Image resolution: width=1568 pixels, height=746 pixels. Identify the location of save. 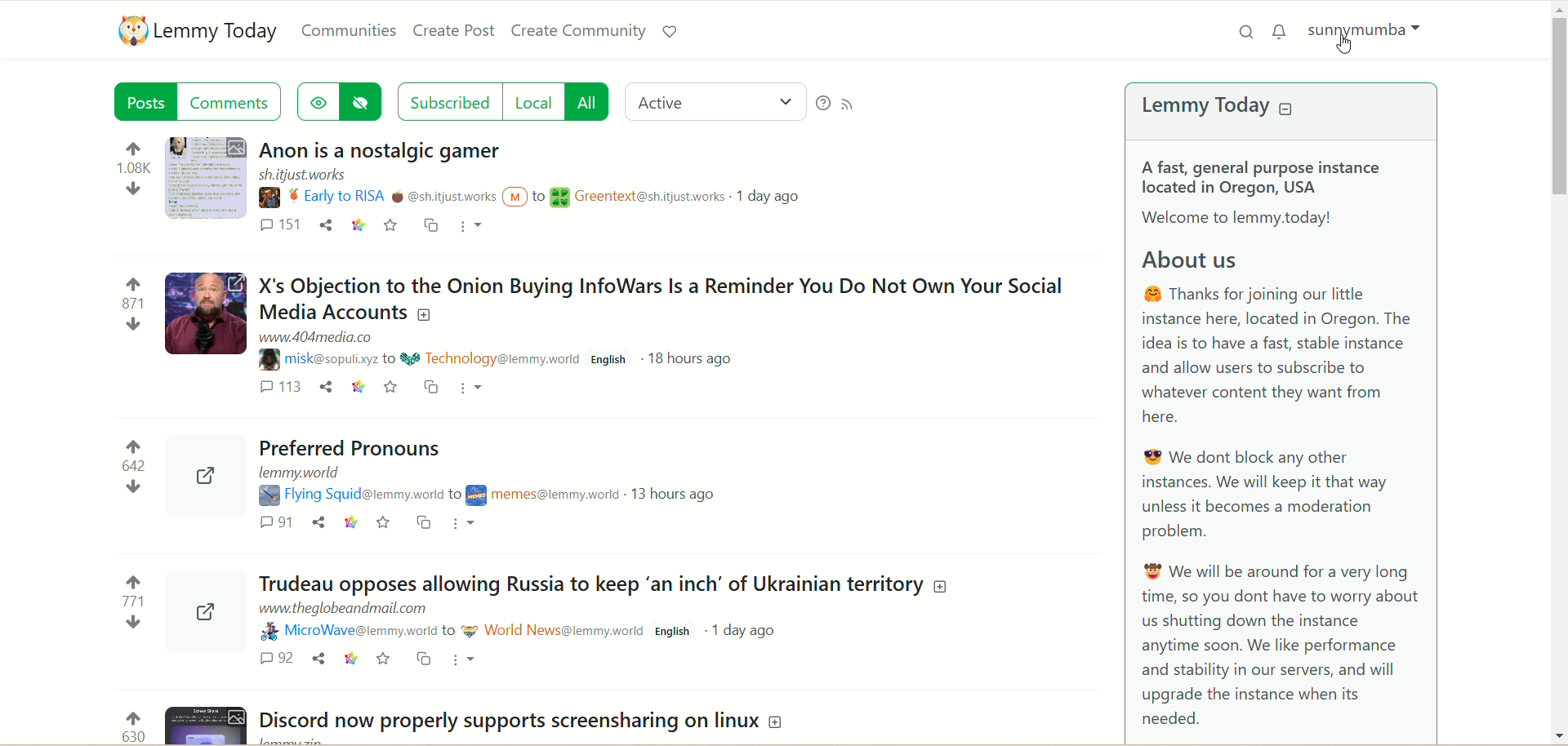
(390, 225).